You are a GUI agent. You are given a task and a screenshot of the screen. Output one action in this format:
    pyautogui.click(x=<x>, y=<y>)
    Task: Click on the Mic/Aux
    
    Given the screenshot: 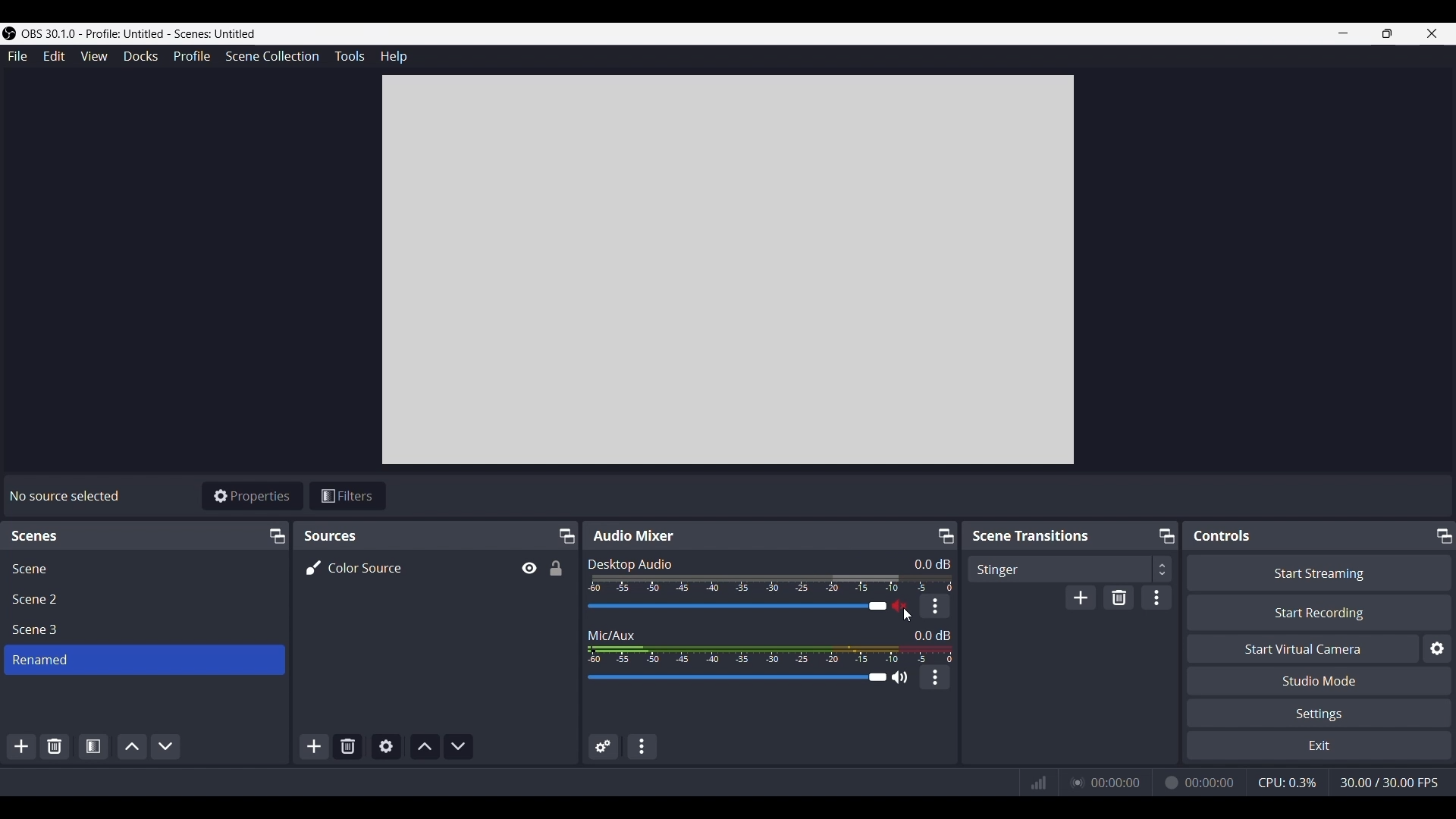 What is the action you would take?
    pyautogui.click(x=613, y=632)
    